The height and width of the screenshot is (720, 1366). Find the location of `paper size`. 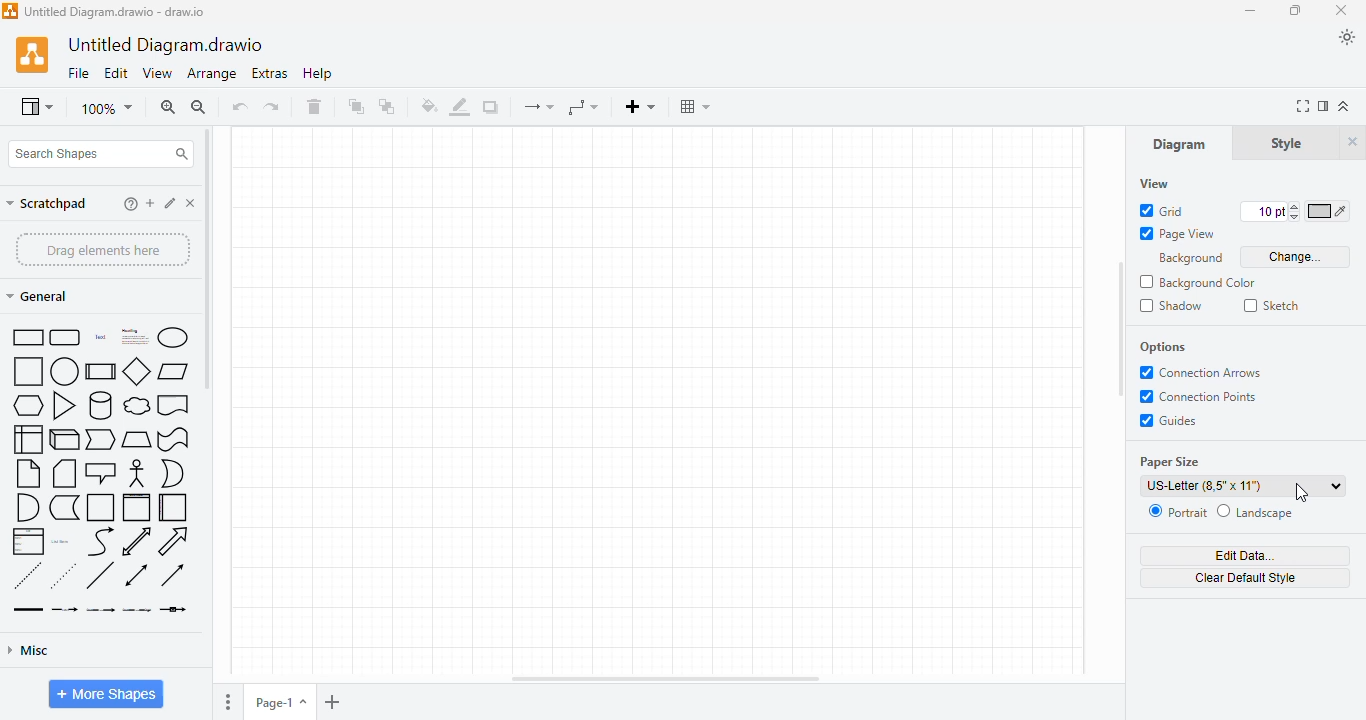

paper size is located at coordinates (1170, 463).